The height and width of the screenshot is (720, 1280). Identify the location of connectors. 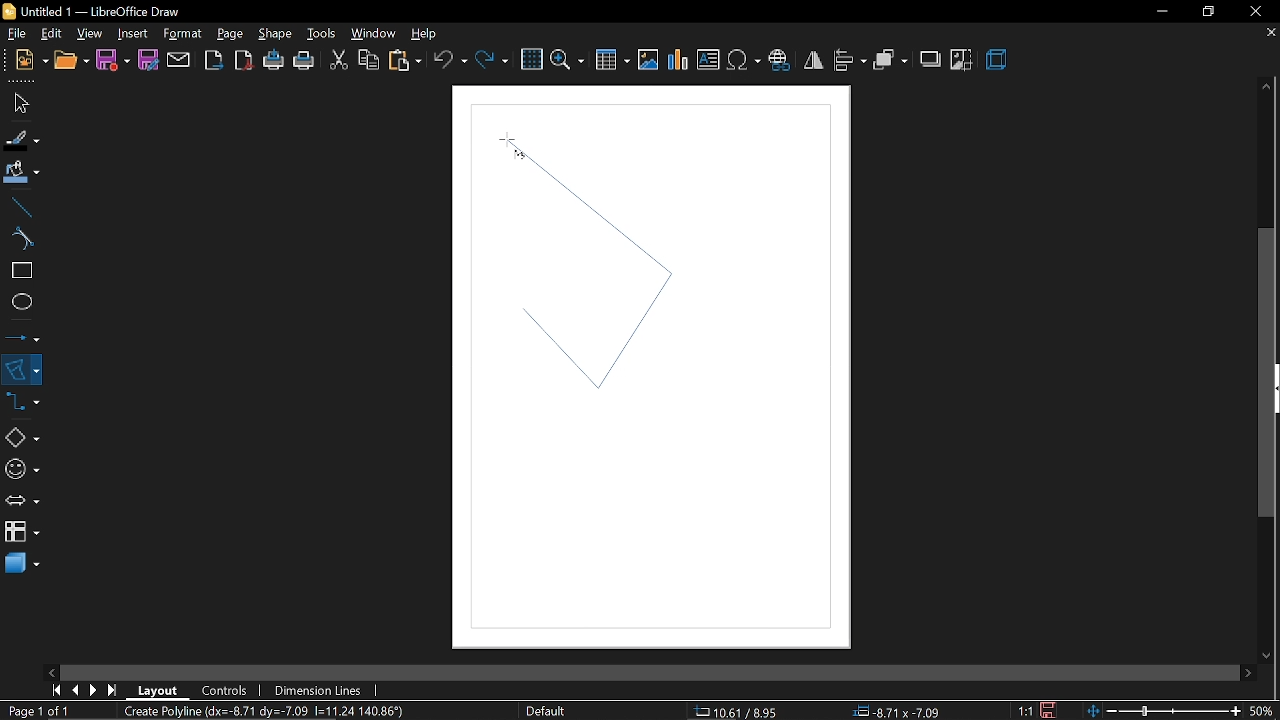
(23, 407).